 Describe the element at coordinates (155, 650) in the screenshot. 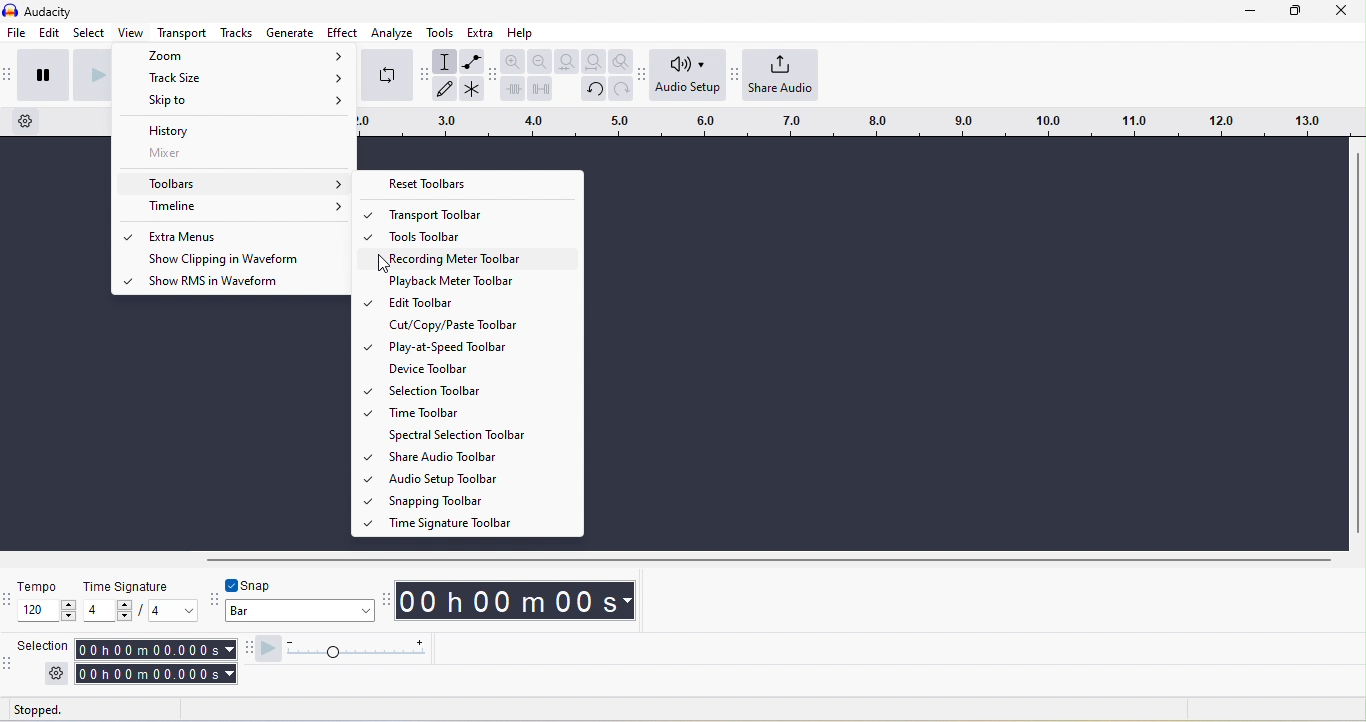

I see `selection start time` at that location.